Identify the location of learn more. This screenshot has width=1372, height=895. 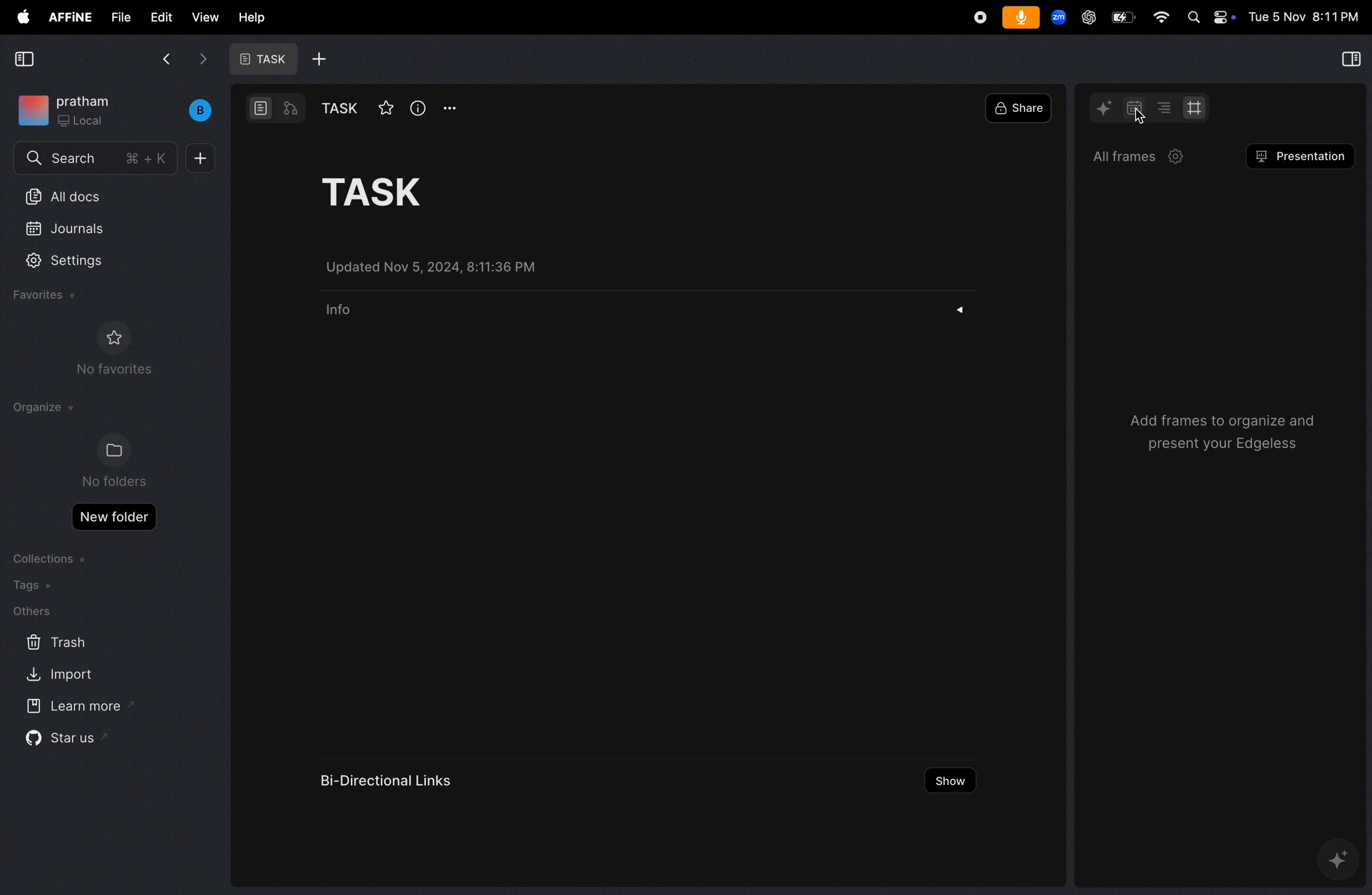
(77, 707).